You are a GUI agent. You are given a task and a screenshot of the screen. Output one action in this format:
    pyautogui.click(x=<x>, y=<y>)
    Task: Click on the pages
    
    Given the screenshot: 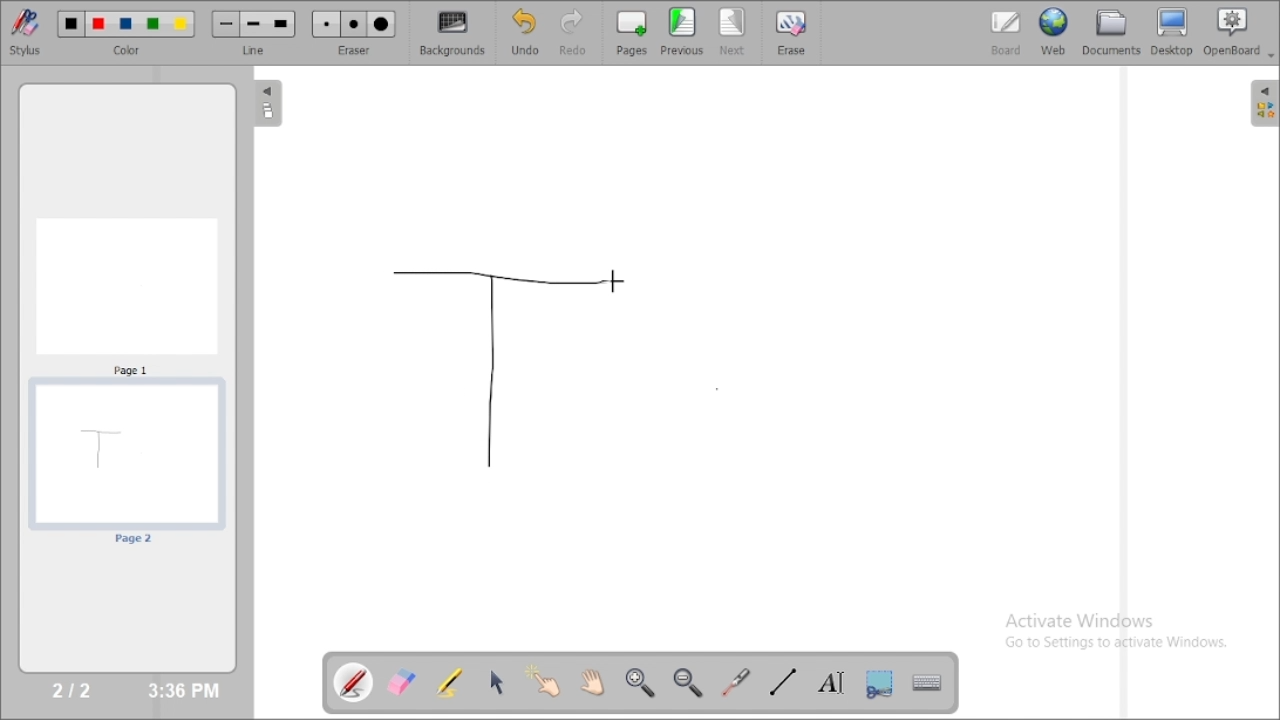 What is the action you would take?
    pyautogui.click(x=632, y=32)
    